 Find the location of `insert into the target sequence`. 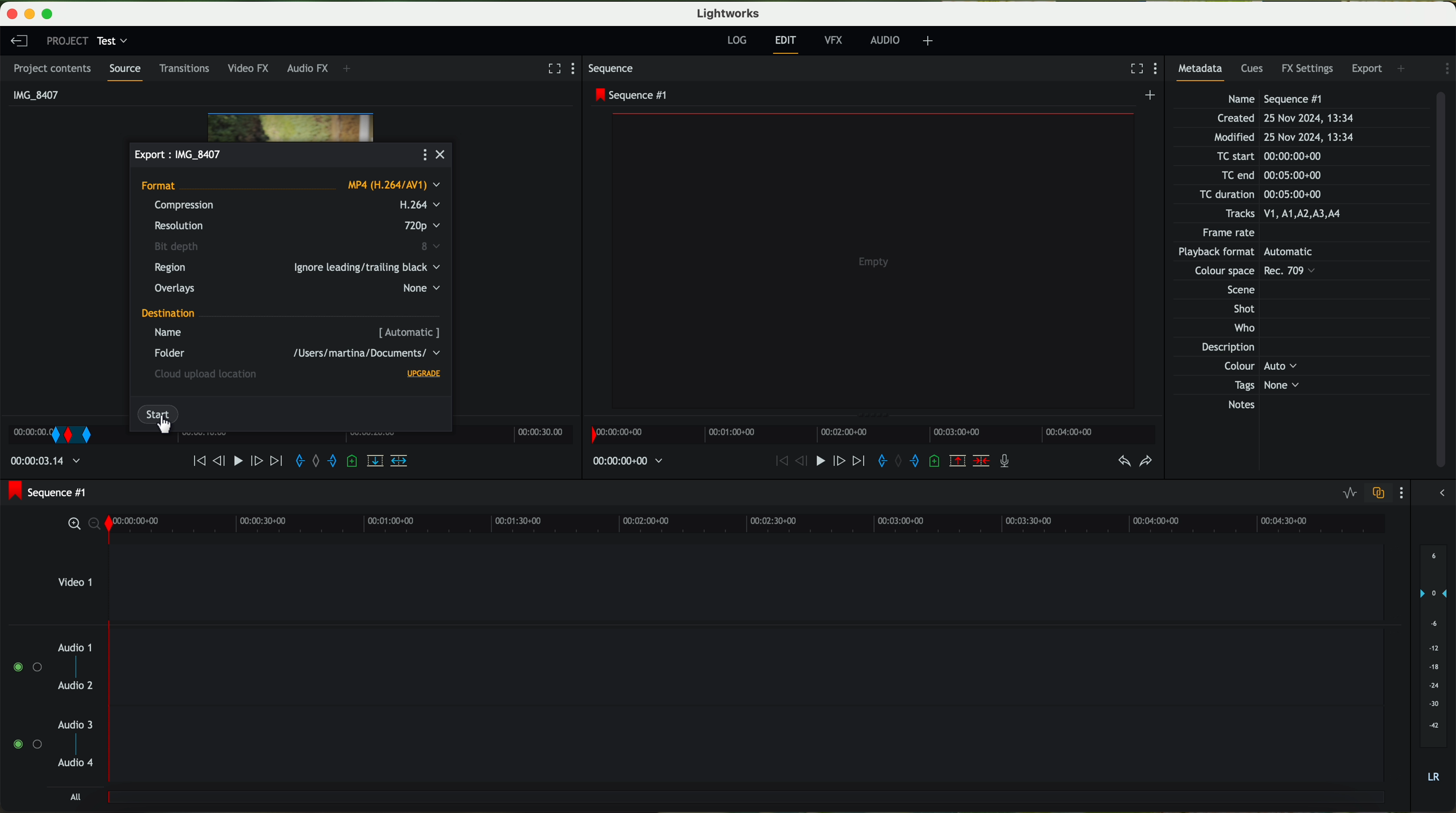

insert into the target sequence is located at coordinates (400, 460).